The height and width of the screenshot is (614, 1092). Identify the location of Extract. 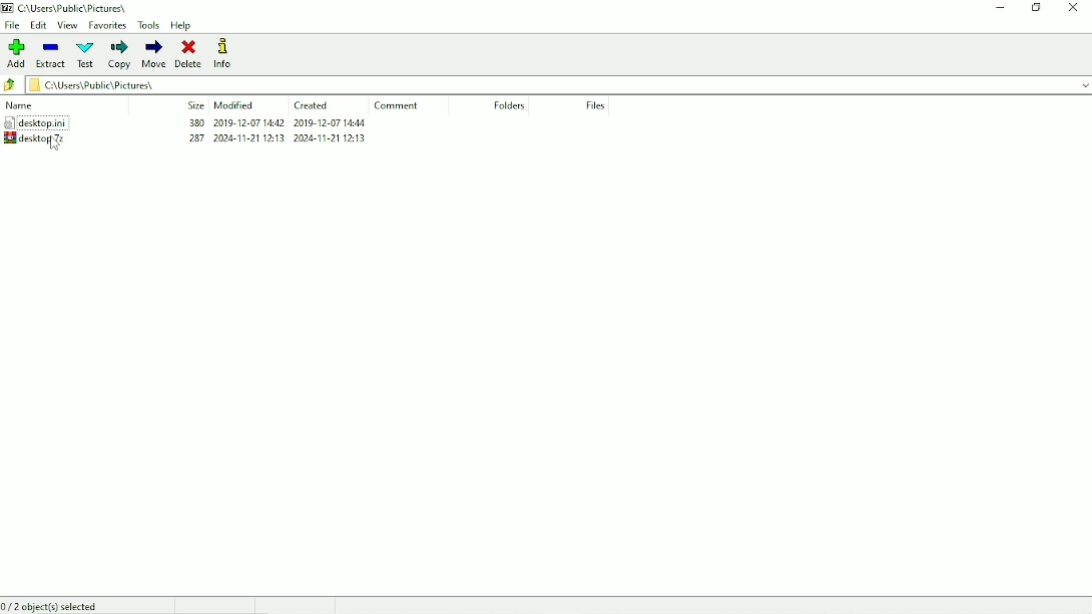
(52, 55).